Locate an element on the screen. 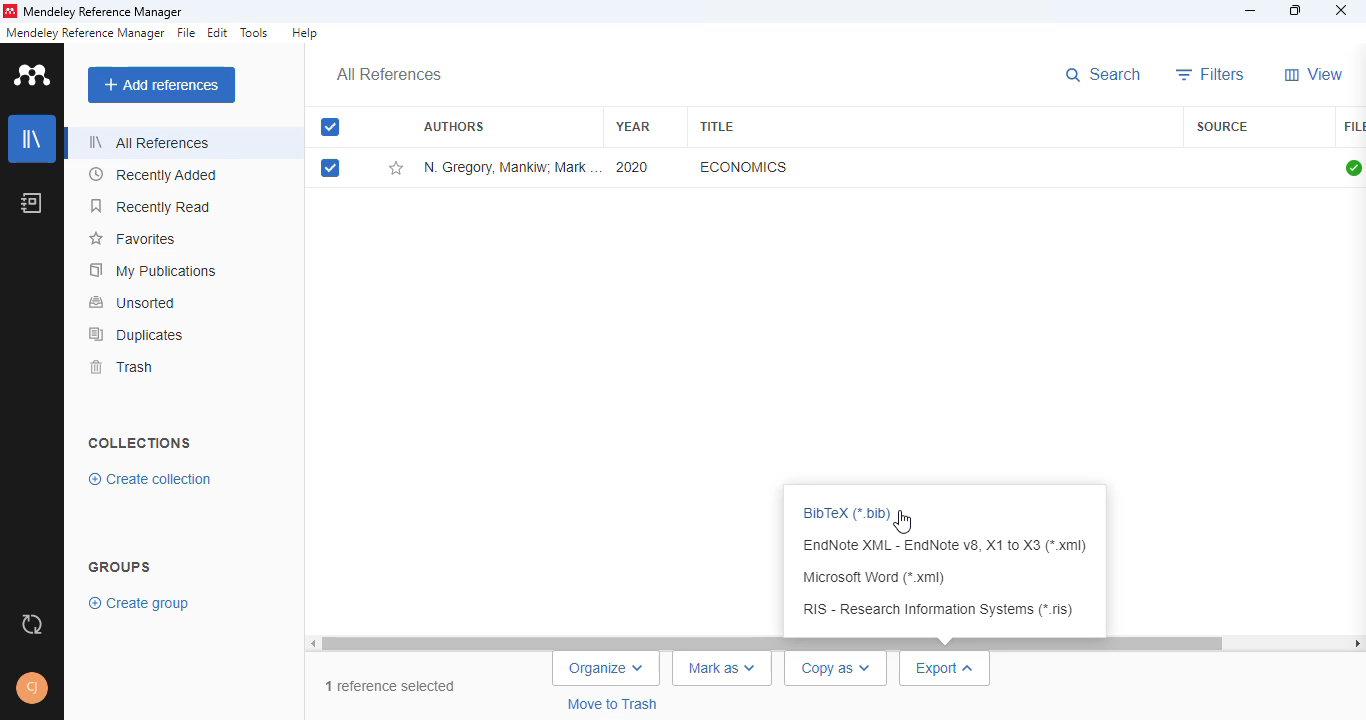 This screenshot has width=1366, height=720. add this reference to favorites is located at coordinates (396, 169).